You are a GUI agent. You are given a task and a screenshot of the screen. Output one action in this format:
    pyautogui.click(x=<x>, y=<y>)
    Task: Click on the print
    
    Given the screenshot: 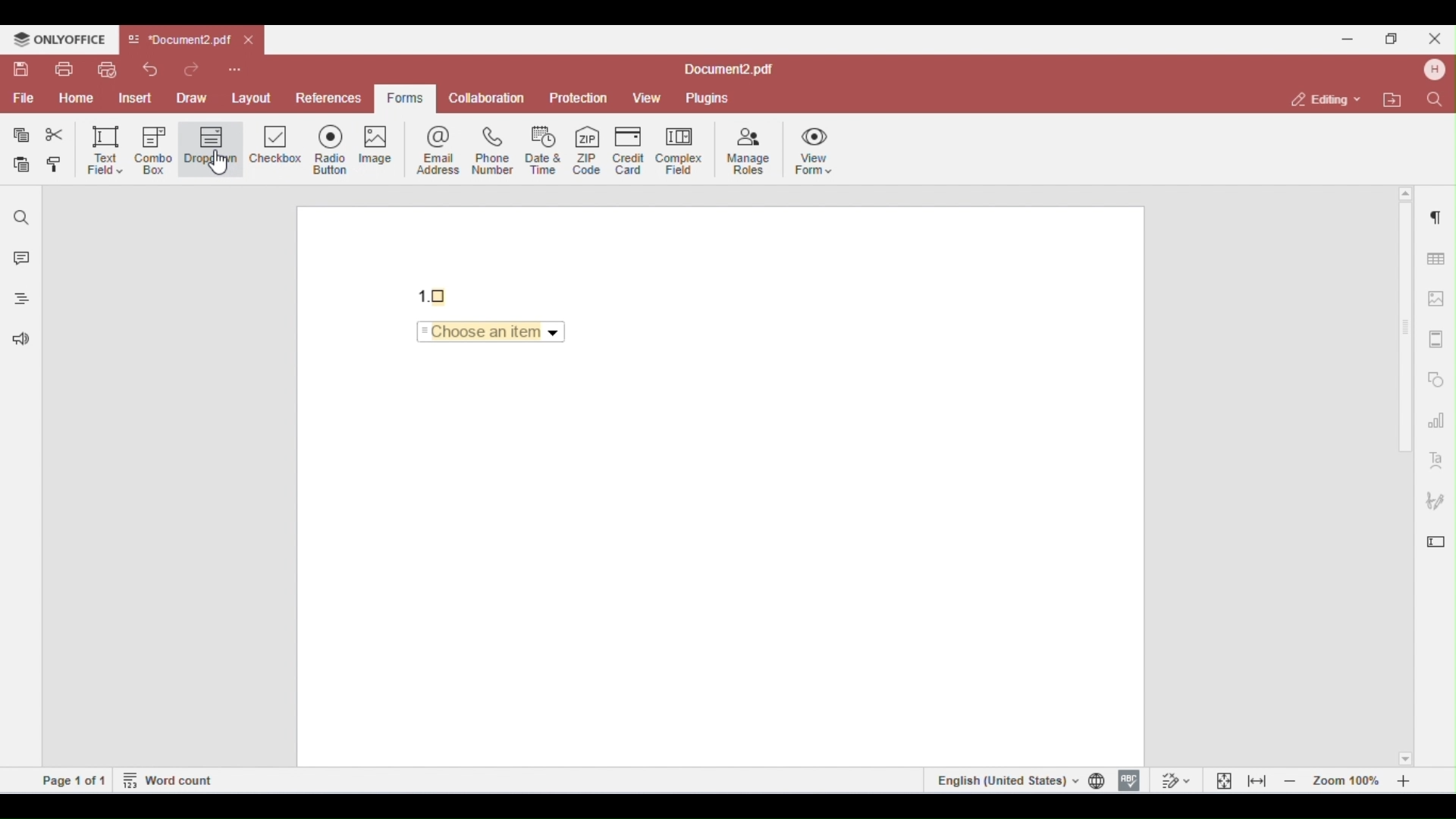 What is the action you would take?
    pyautogui.click(x=64, y=69)
    